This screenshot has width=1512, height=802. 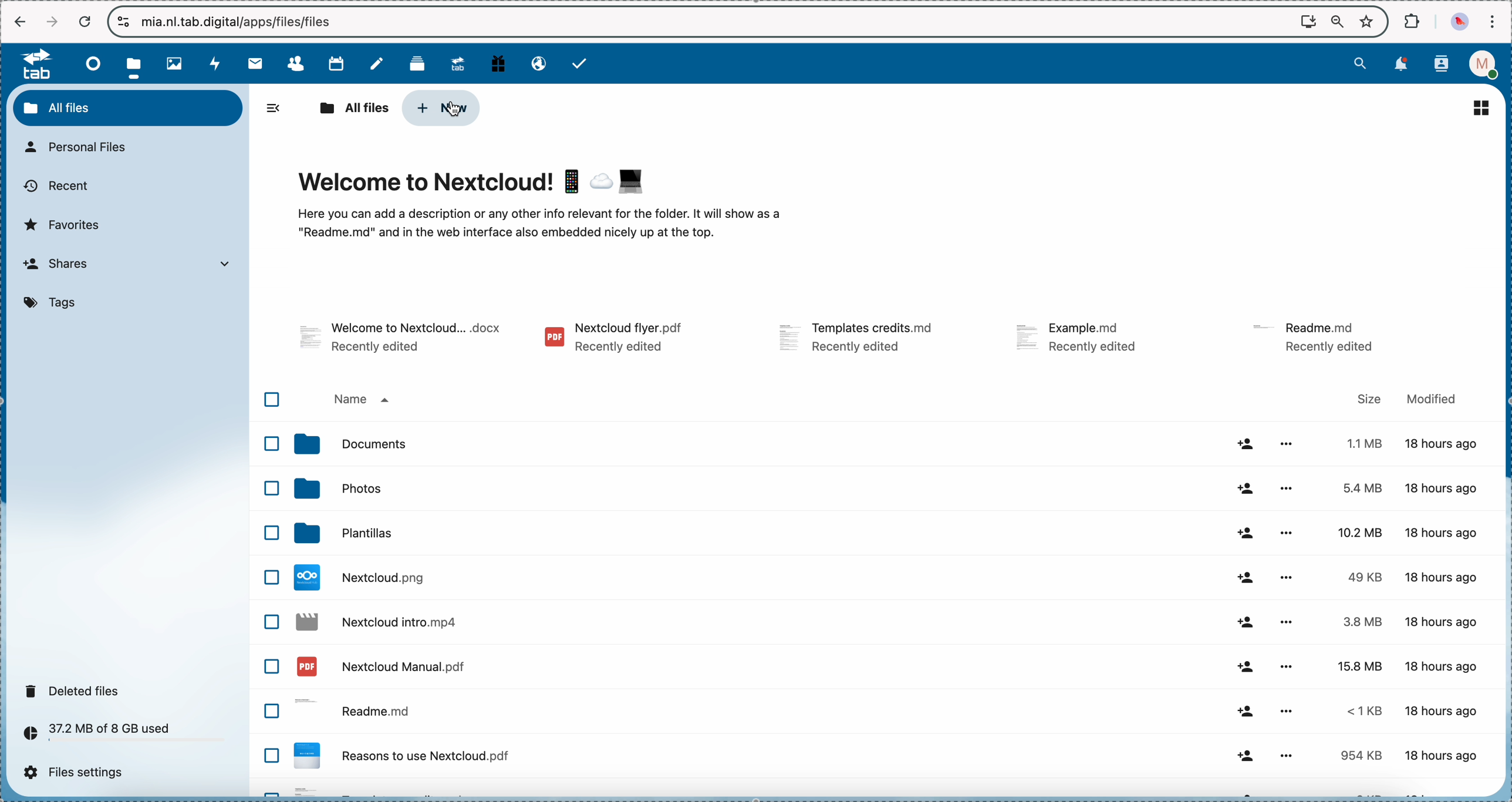 I want to click on tags, so click(x=54, y=304).